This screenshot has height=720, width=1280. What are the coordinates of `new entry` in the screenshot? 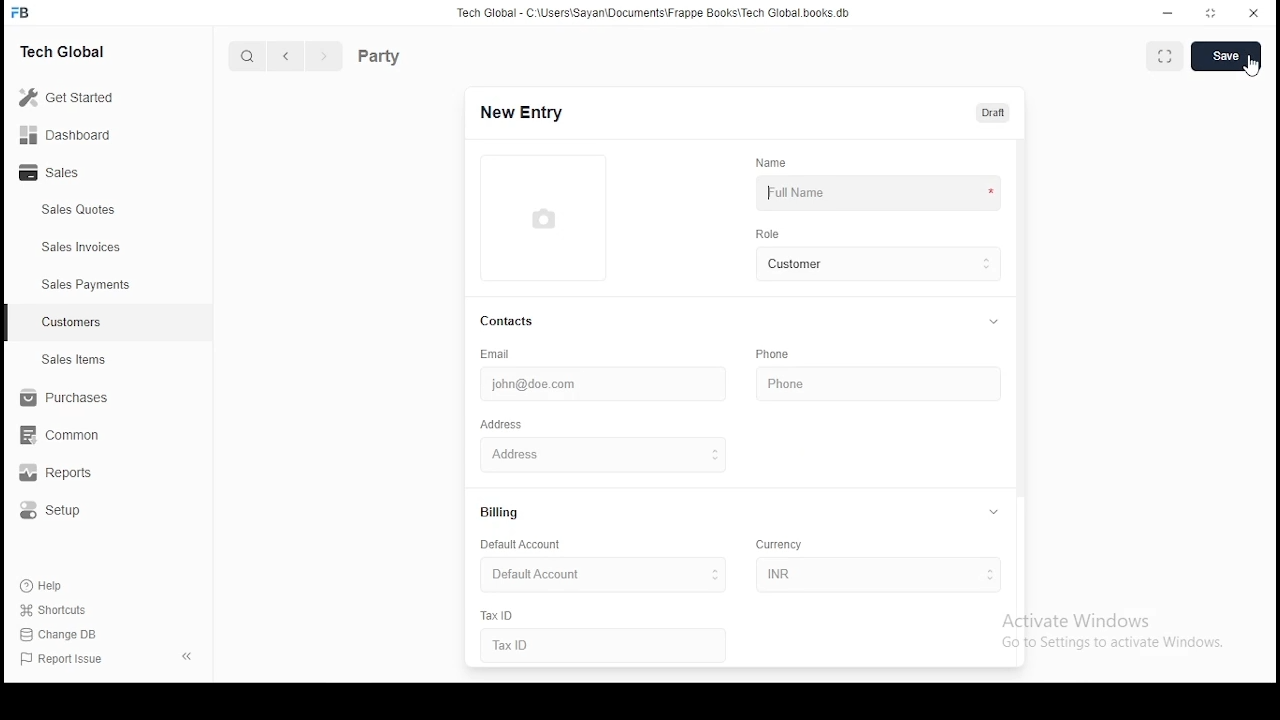 It's located at (525, 112).